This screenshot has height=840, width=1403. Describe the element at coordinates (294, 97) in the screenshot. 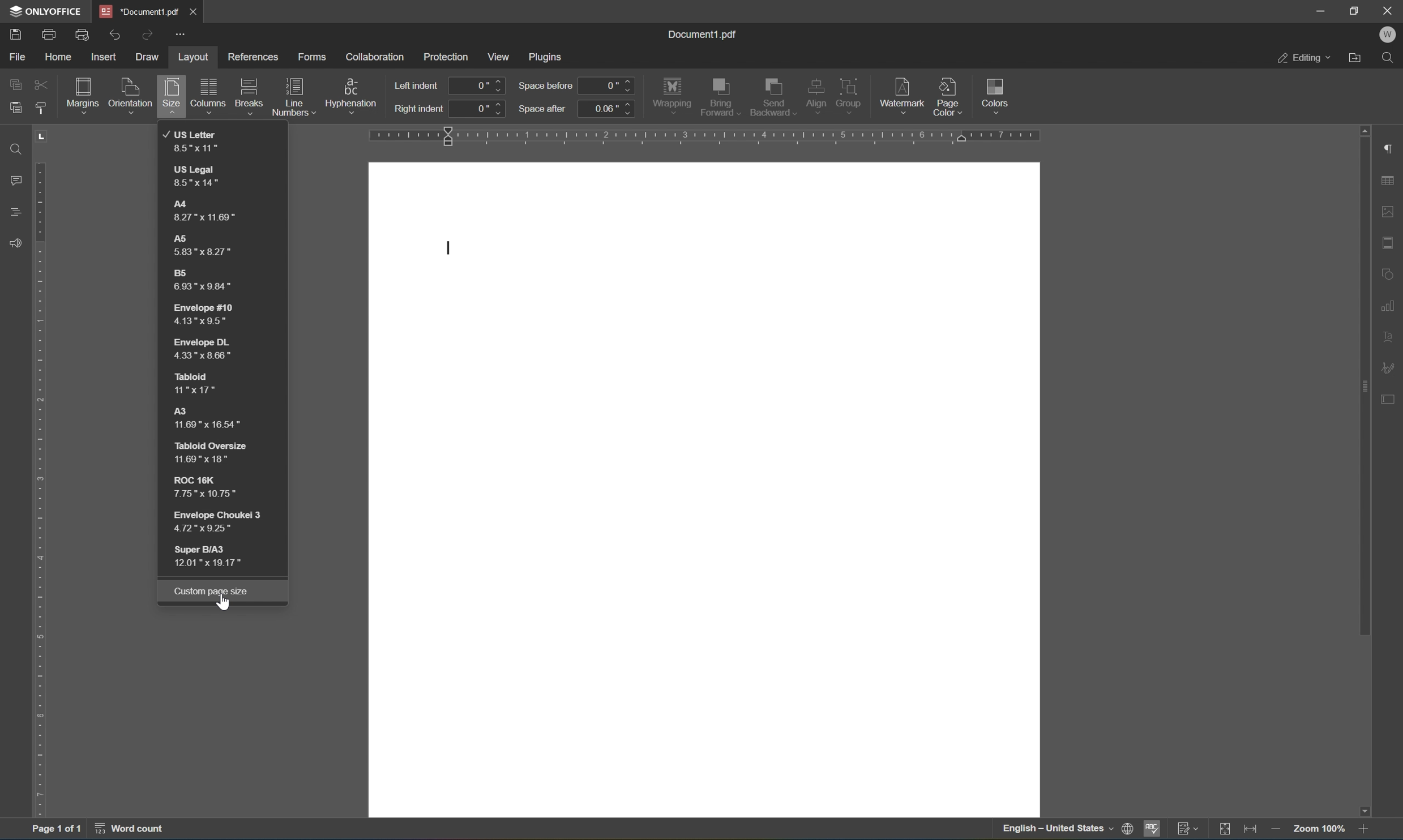

I see `line numbers` at that location.